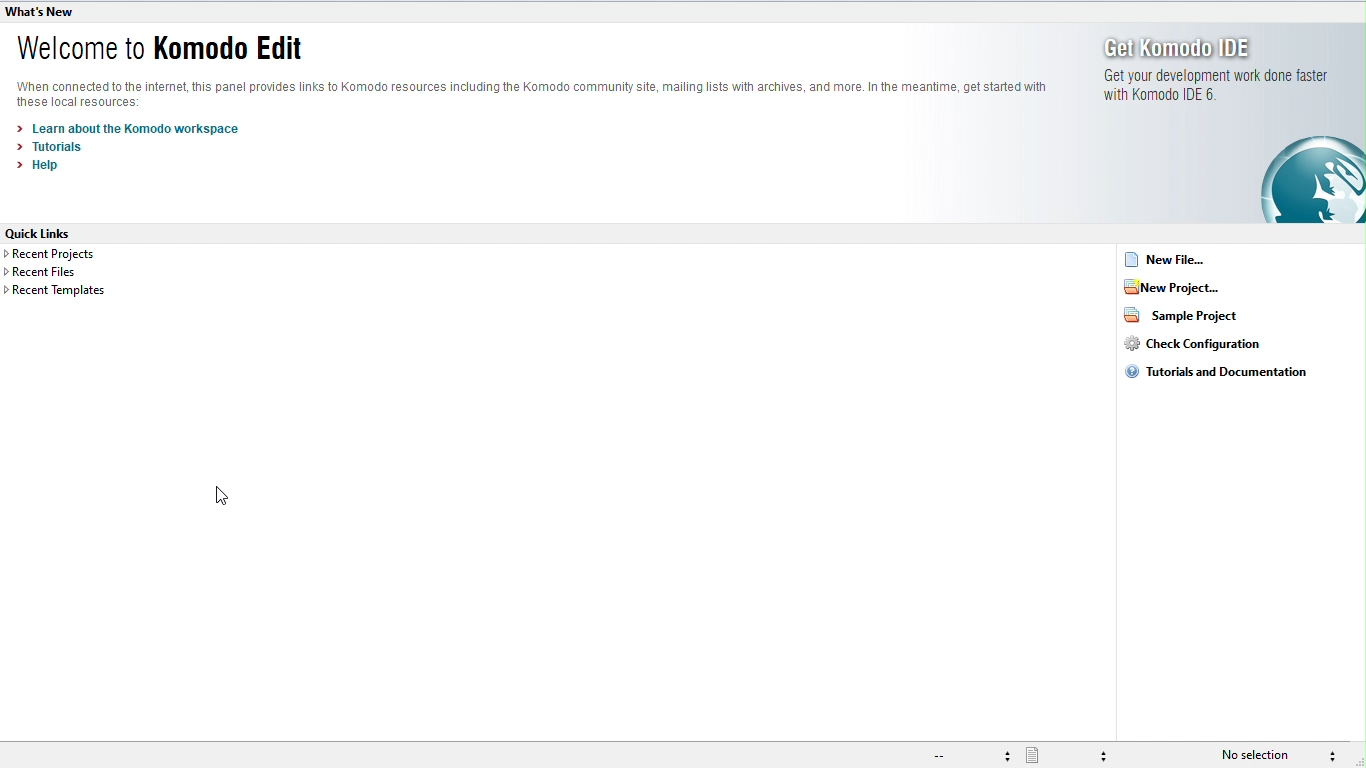 The height and width of the screenshot is (768, 1366). What do you see at coordinates (60, 290) in the screenshot?
I see `recent templates` at bounding box center [60, 290].